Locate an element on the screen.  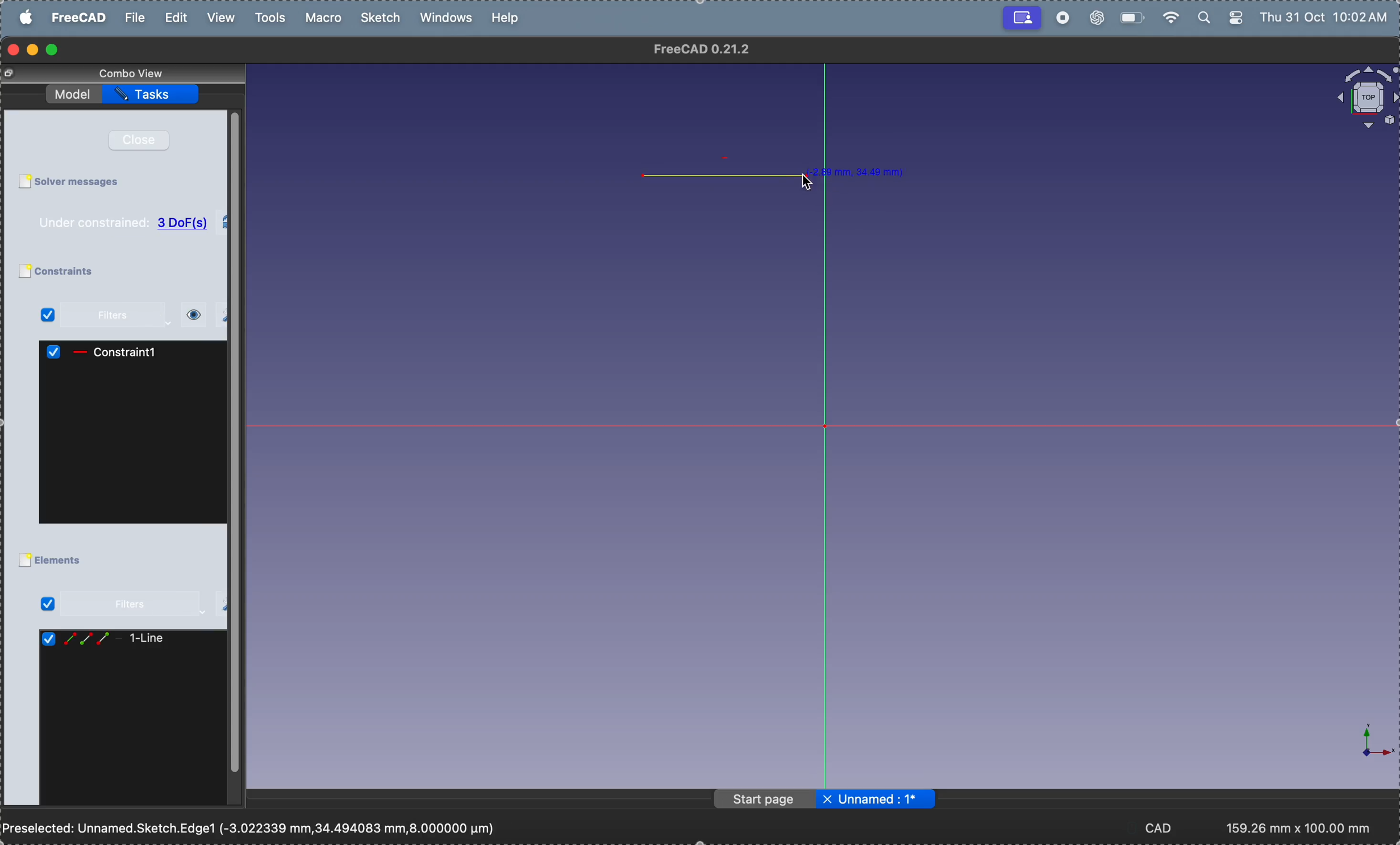
line is located at coordinates (149, 639).